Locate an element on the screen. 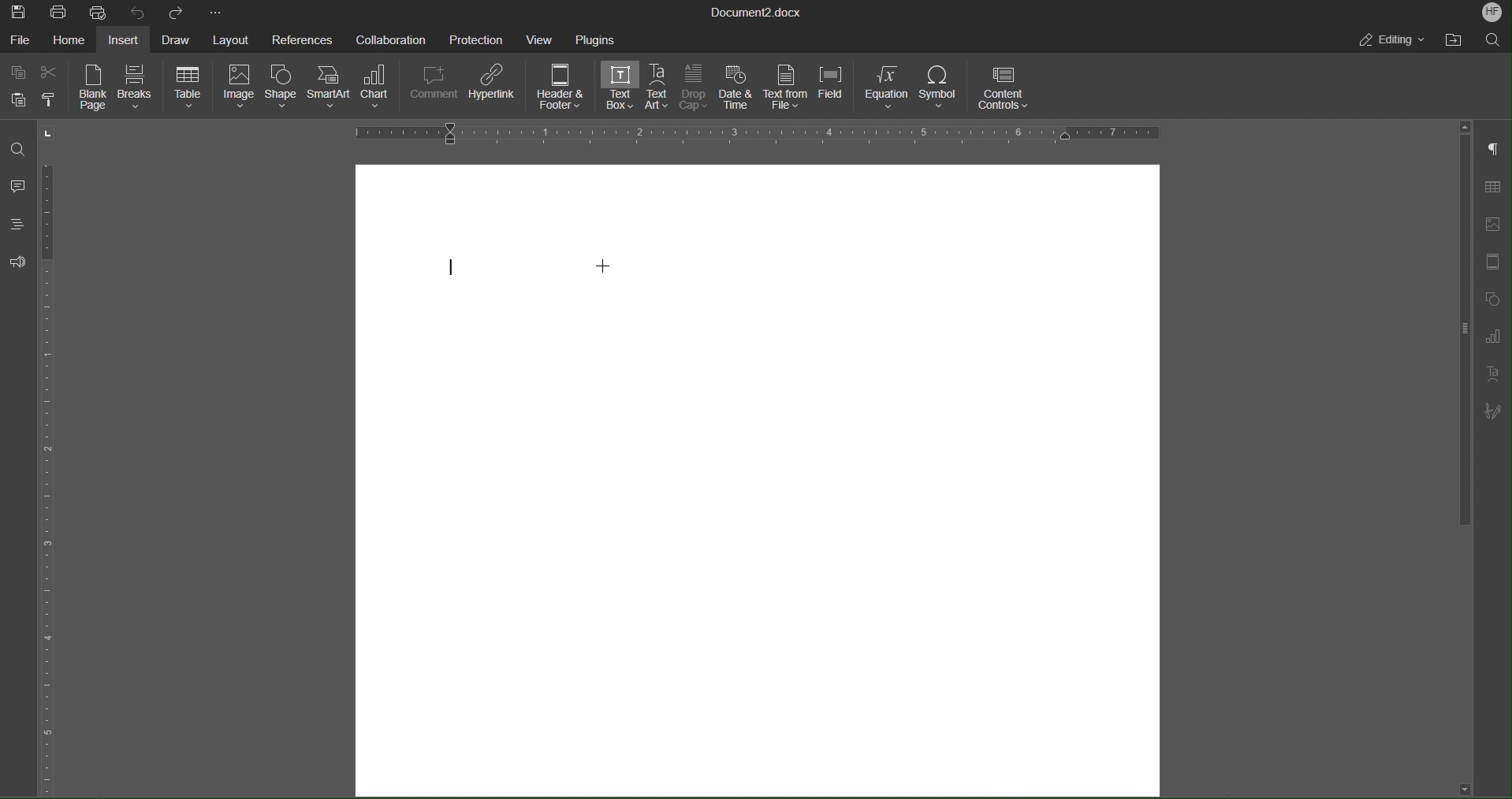  Editing is located at coordinates (1395, 42).